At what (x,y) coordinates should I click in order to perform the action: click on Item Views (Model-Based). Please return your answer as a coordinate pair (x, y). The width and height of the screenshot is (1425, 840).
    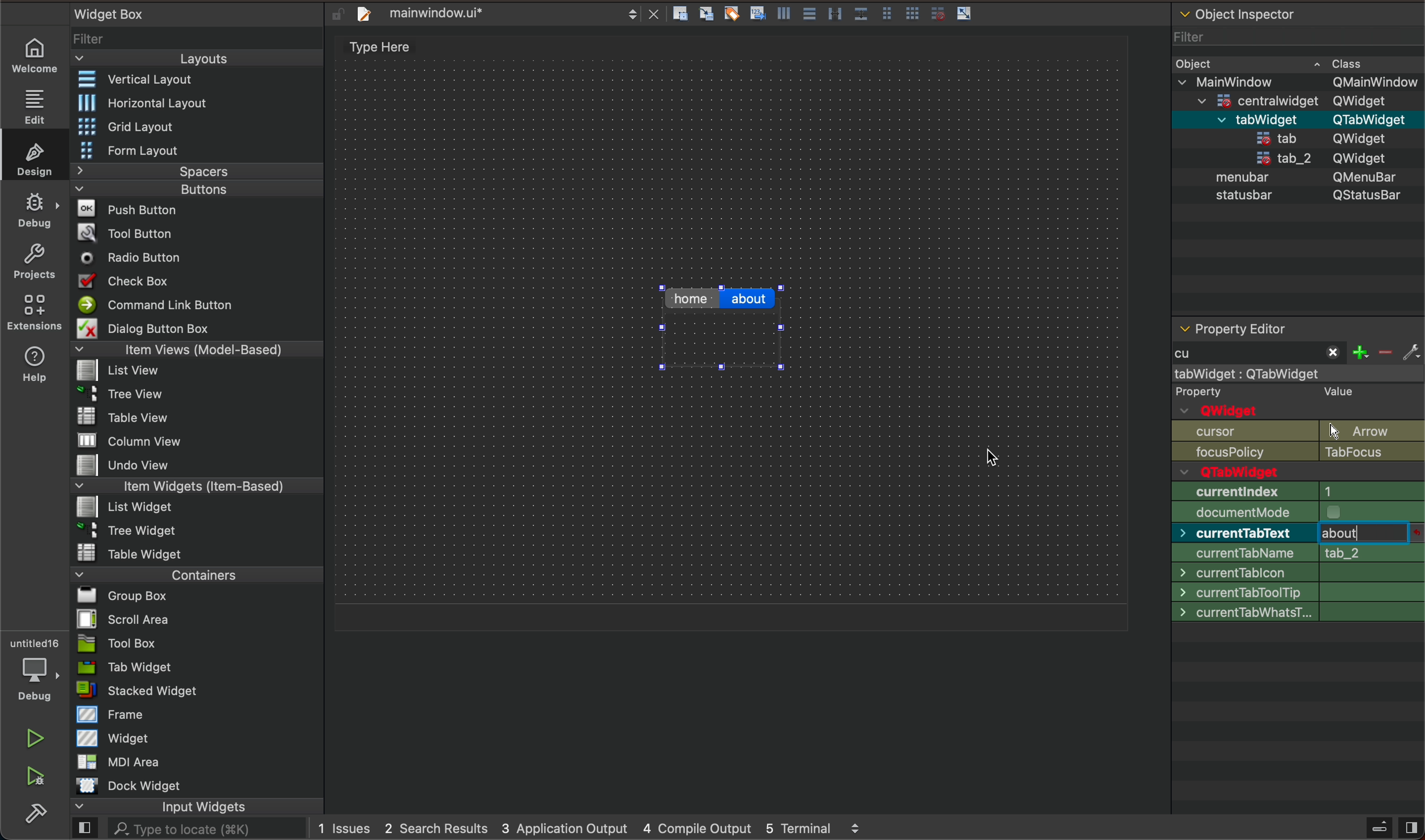
    Looking at the image, I should click on (198, 350).